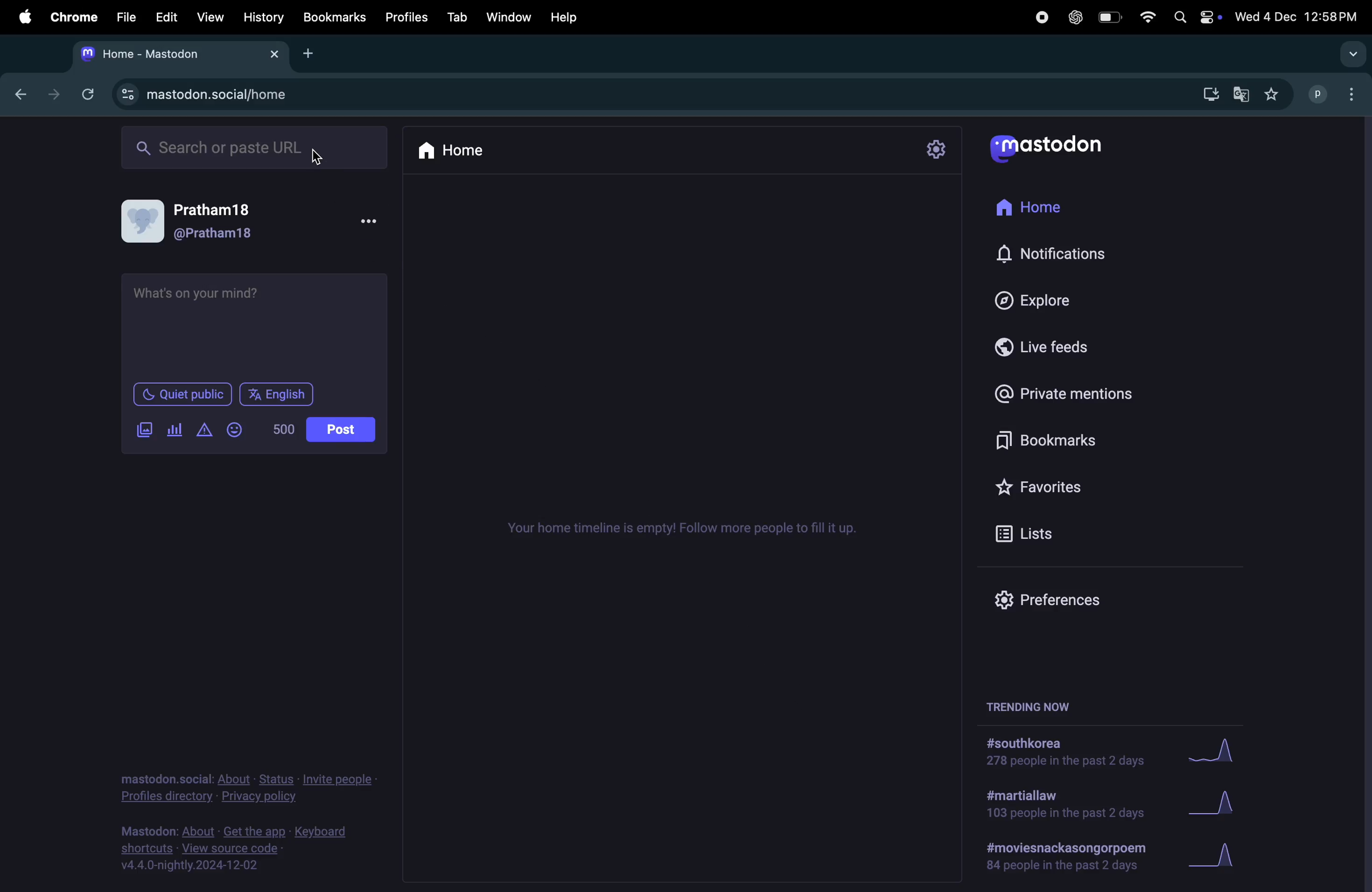 The height and width of the screenshot is (892, 1372). Describe the element at coordinates (18, 95) in the screenshot. I see `go back` at that location.